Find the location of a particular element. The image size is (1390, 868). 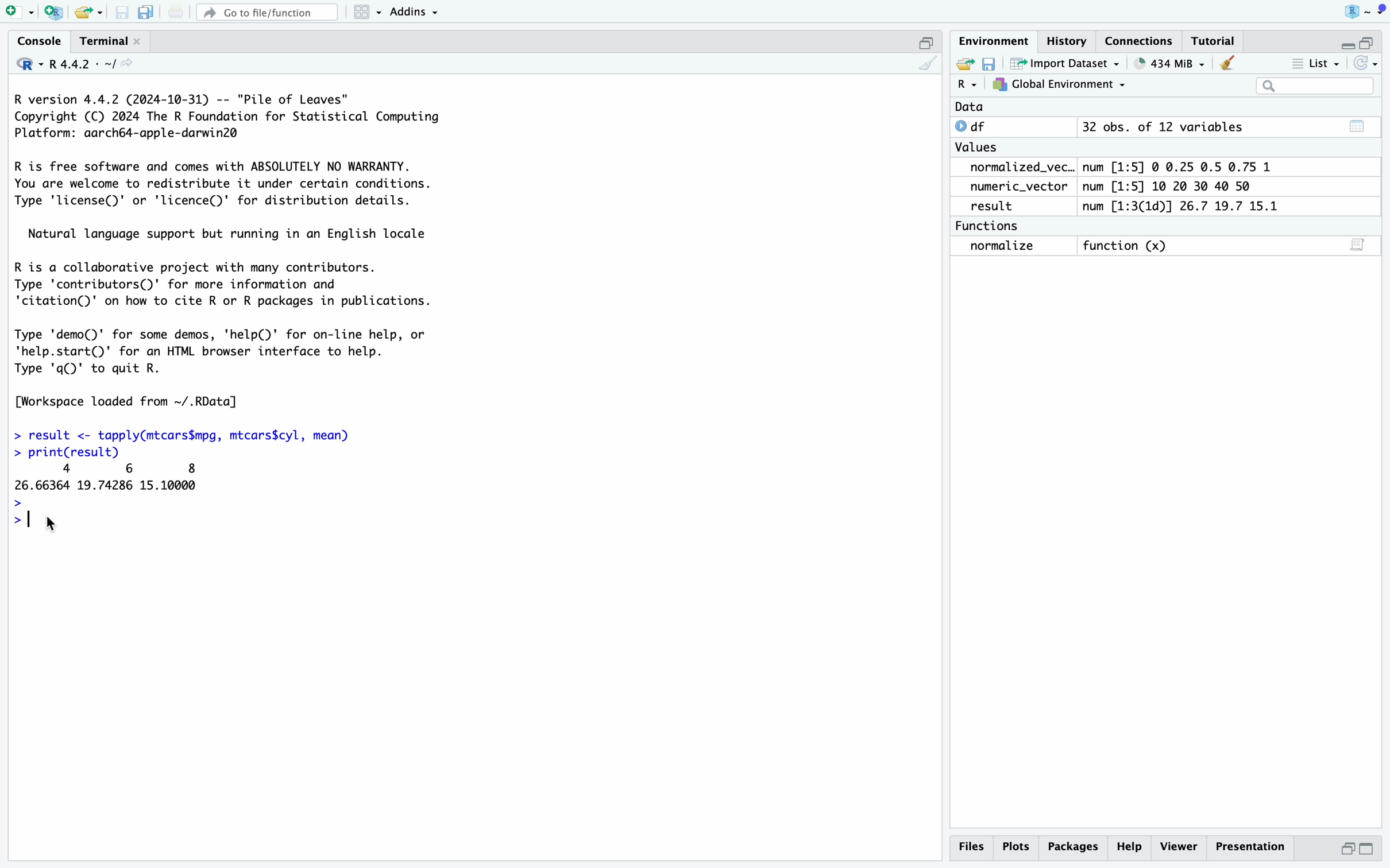

Hide is located at coordinates (1347, 45).